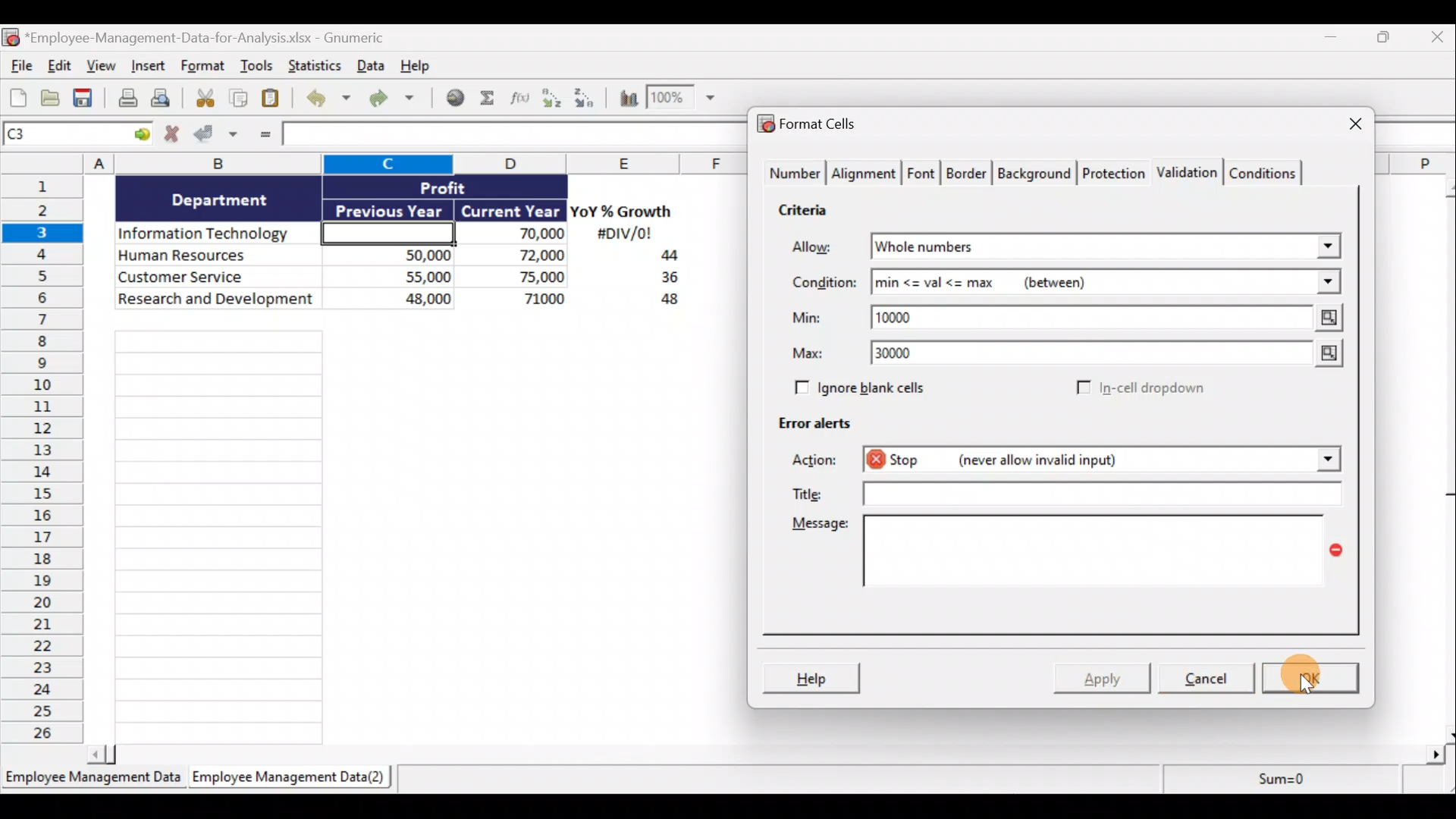  Describe the element at coordinates (807, 320) in the screenshot. I see `Min:` at that location.